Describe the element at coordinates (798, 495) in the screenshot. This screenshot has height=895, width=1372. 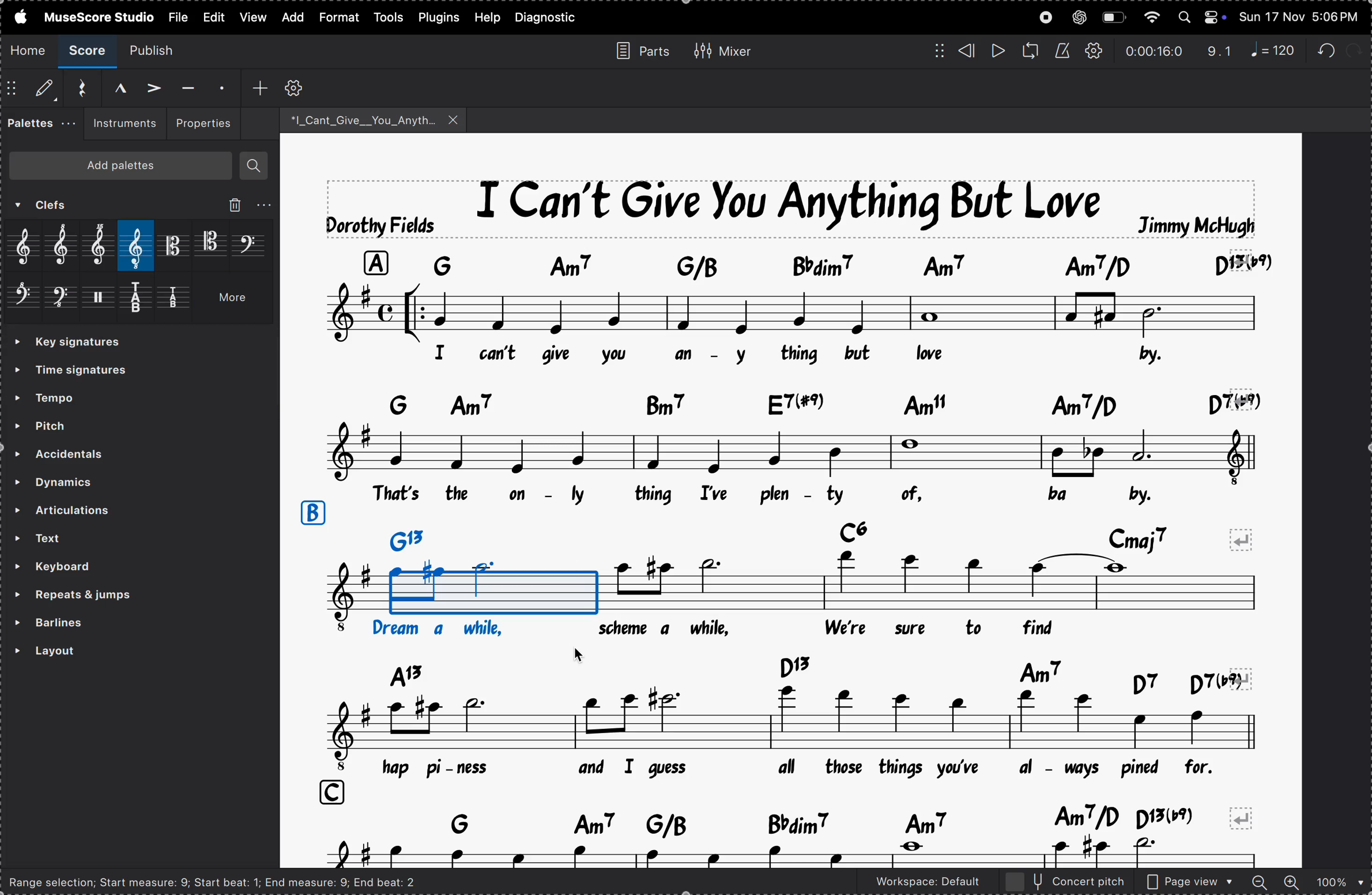
I see `lyrics` at that location.